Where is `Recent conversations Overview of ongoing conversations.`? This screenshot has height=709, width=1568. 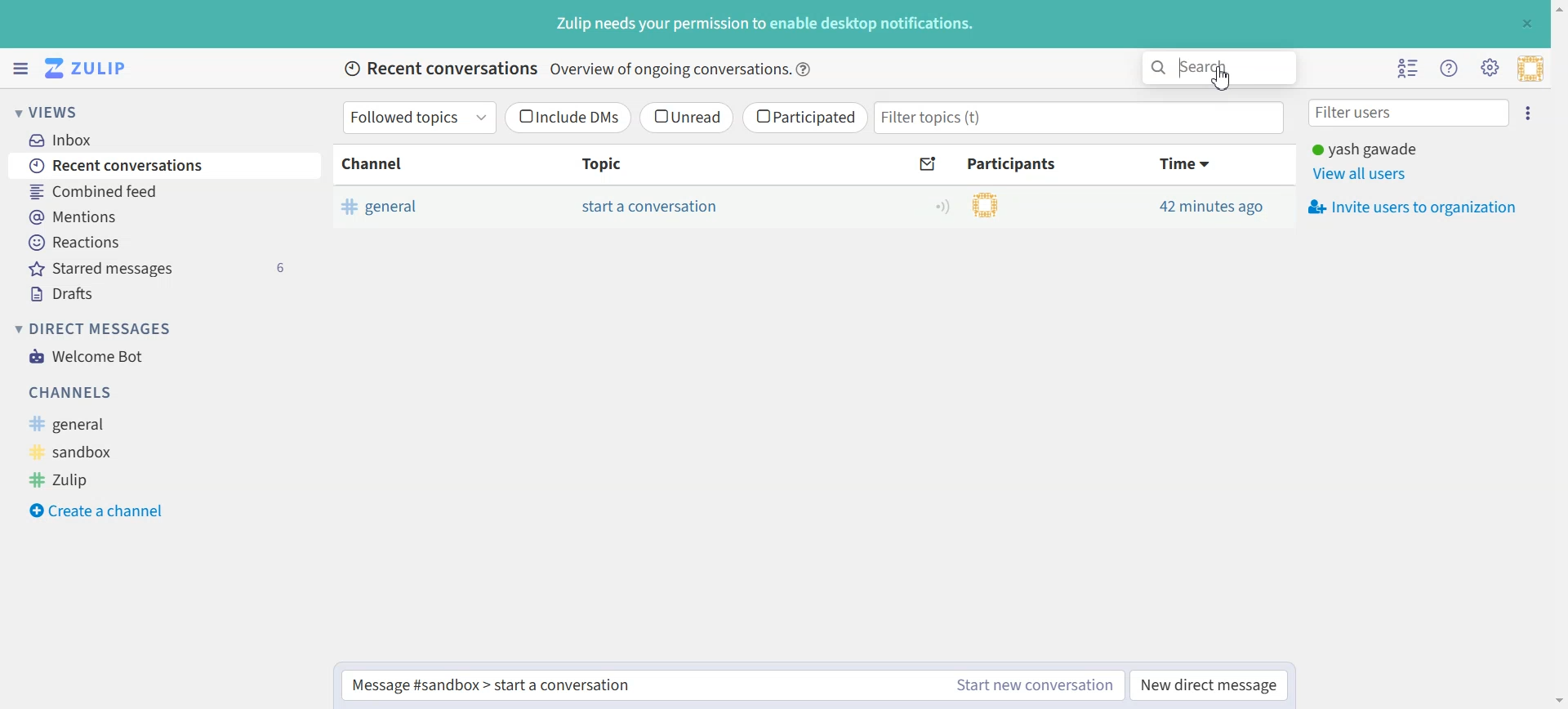
Recent conversations Overview of ongoing conversations. is located at coordinates (563, 71).